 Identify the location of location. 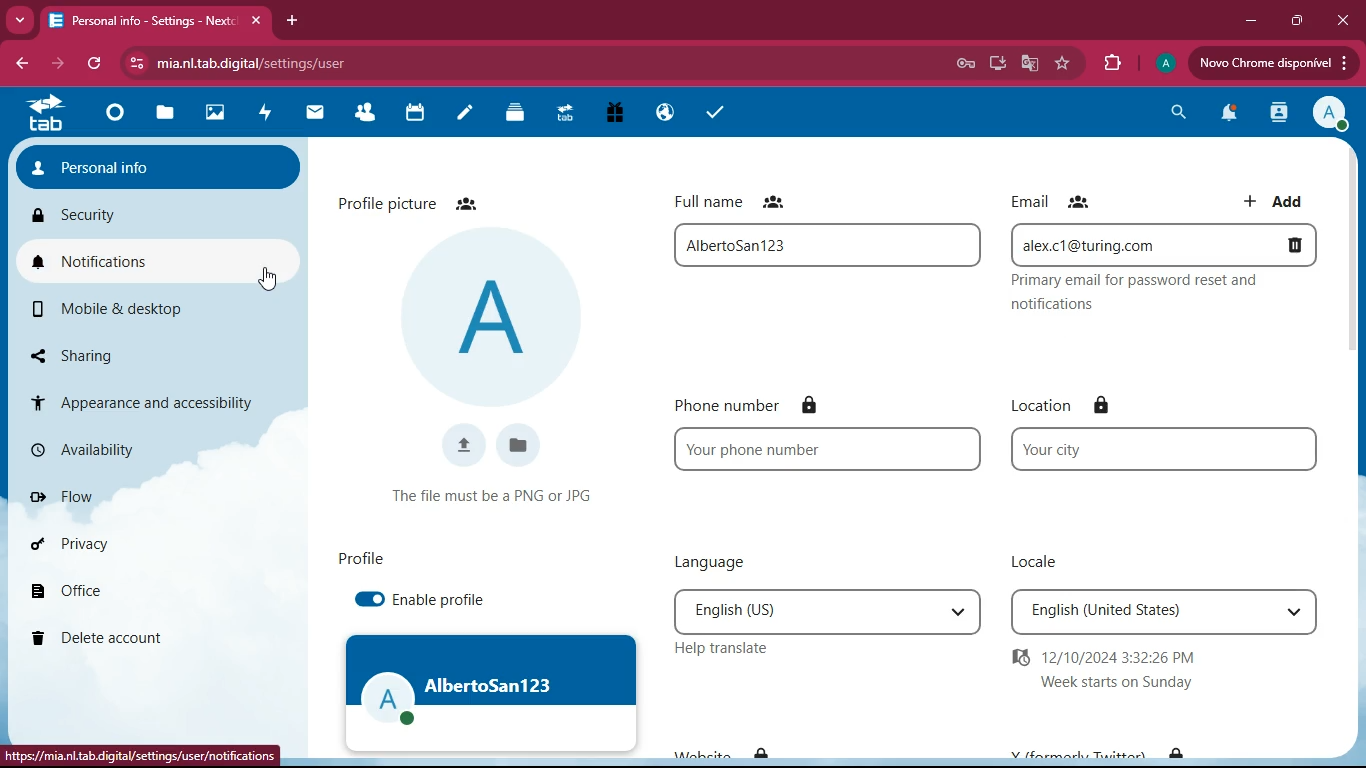
(1081, 403).